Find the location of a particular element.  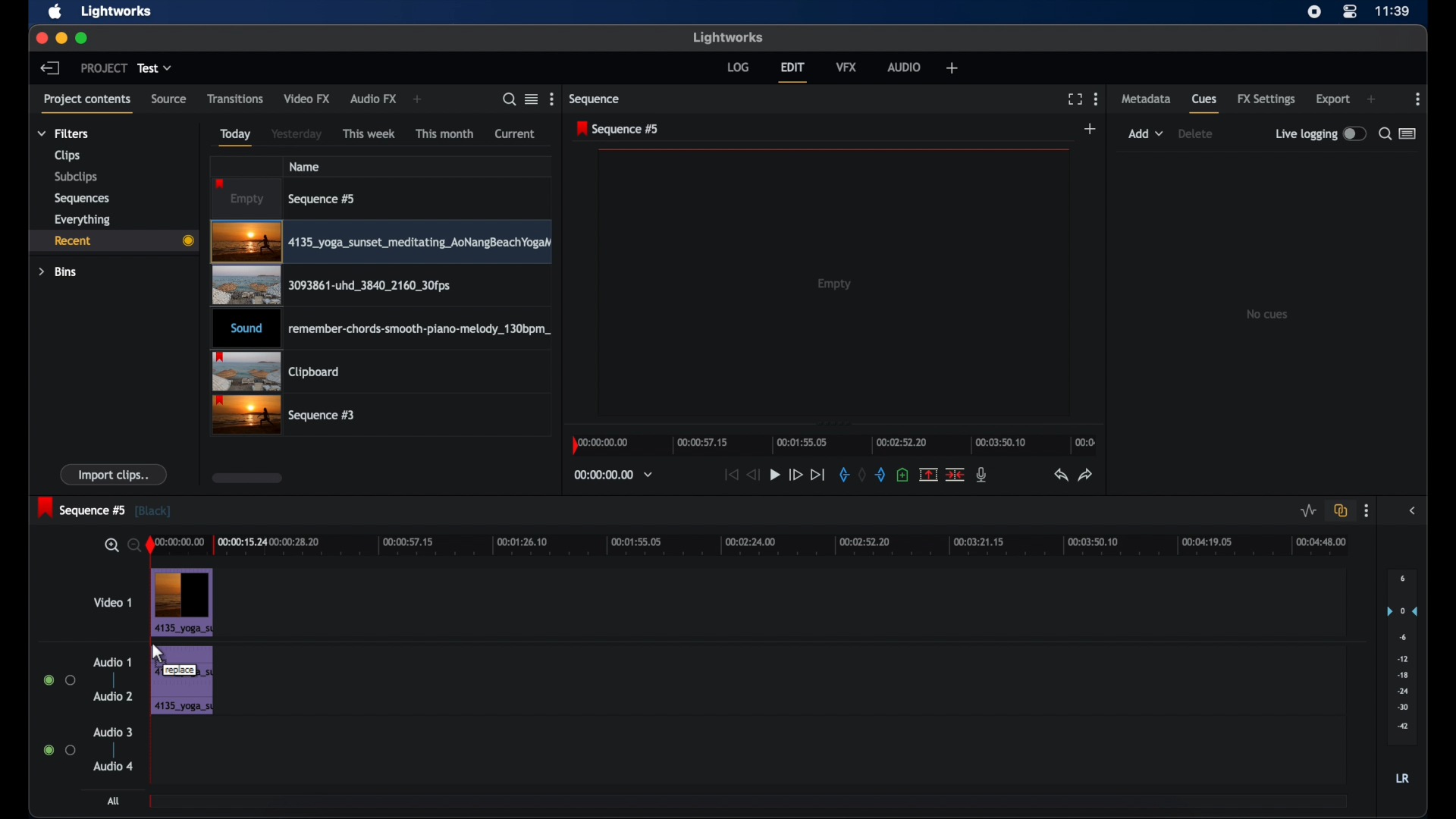

audio 2 is located at coordinates (115, 696).